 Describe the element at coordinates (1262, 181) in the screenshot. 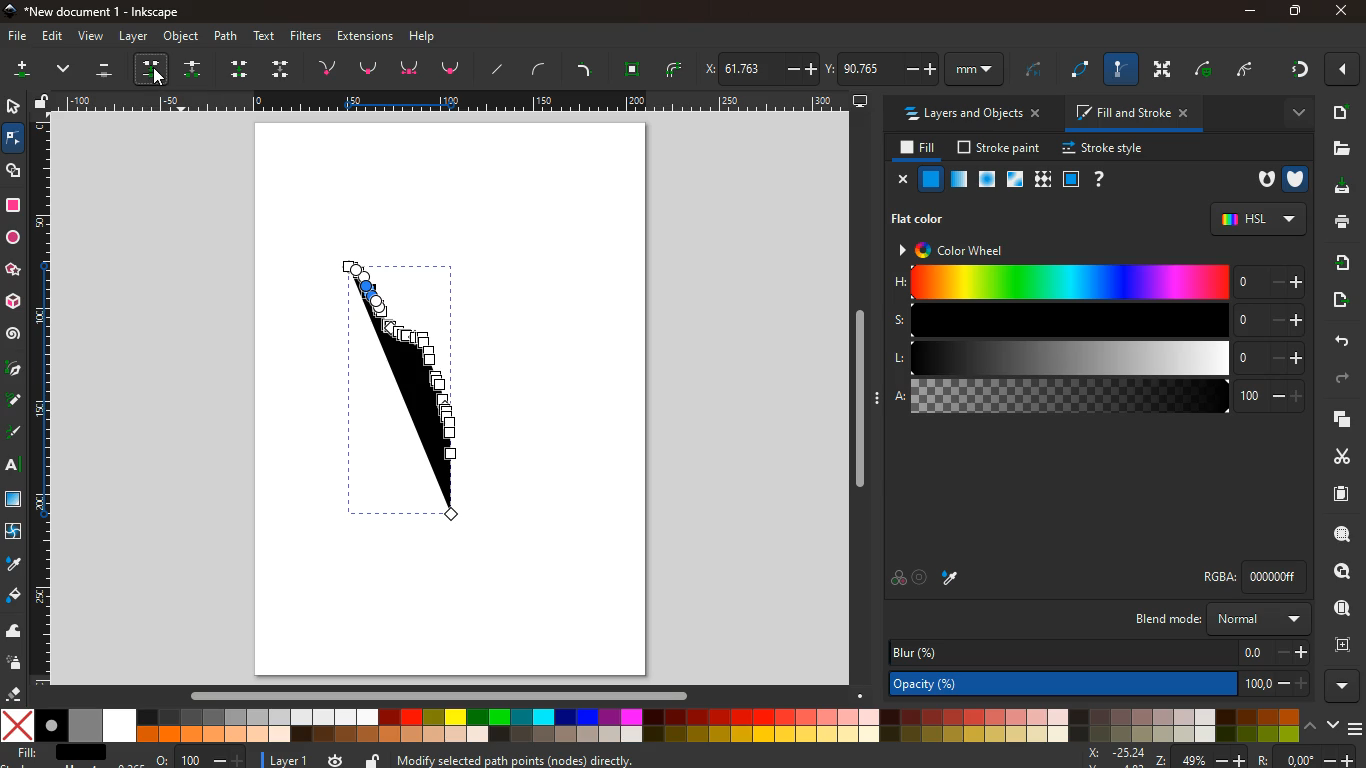

I see `hole` at that location.